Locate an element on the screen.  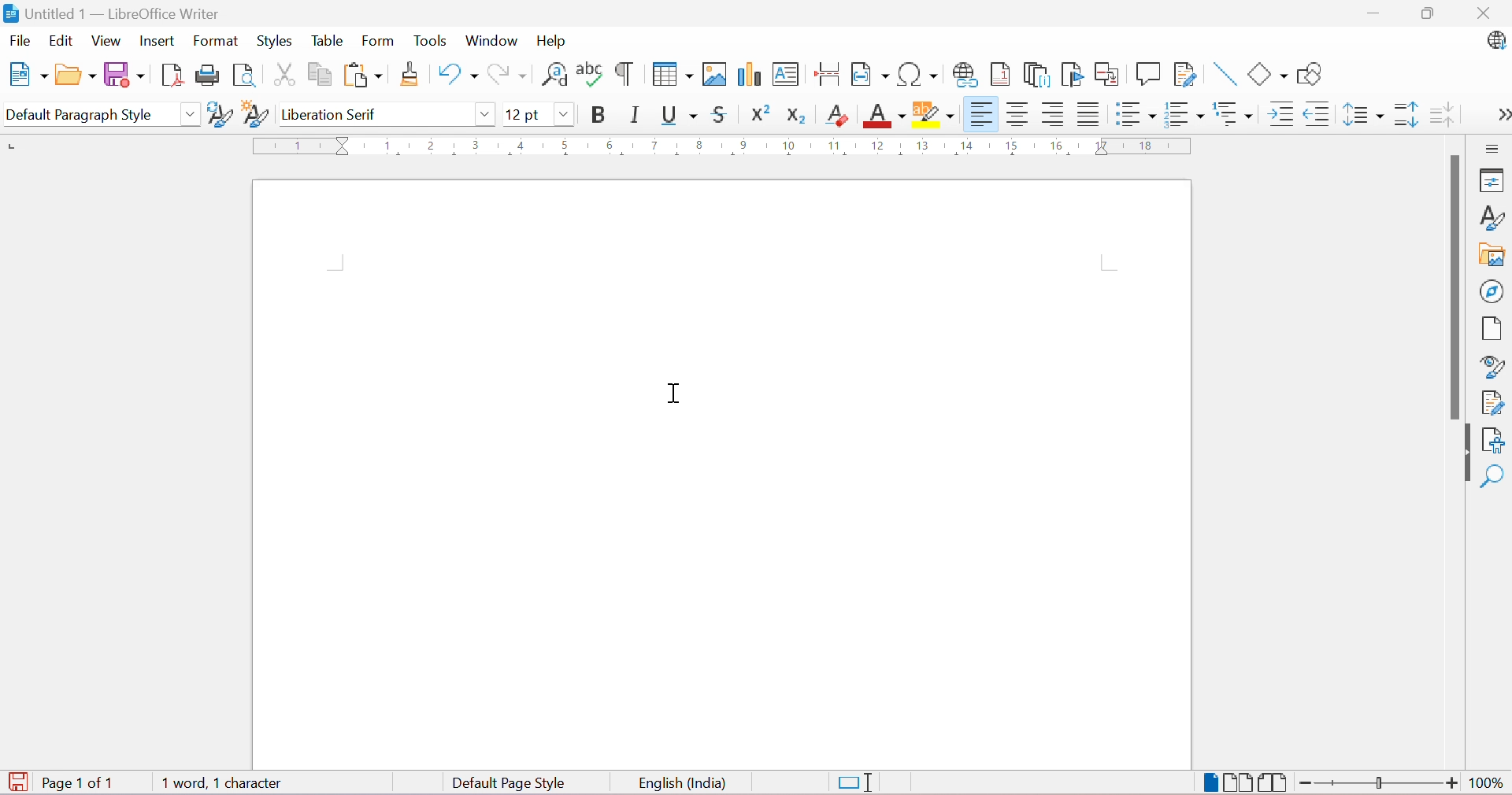
Cursor is located at coordinates (676, 394).